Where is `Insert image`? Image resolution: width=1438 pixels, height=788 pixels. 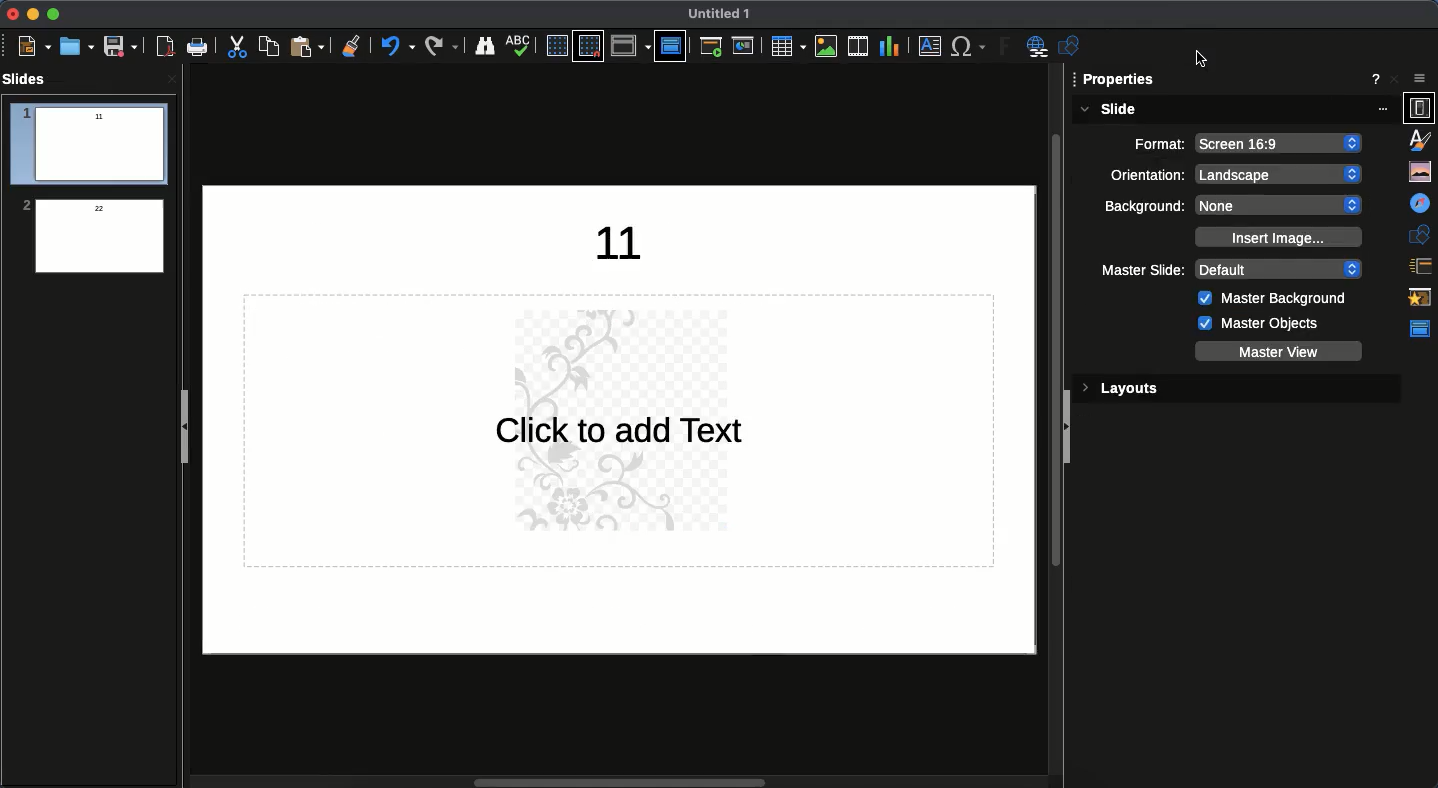
Insert image is located at coordinates (1280, 237).